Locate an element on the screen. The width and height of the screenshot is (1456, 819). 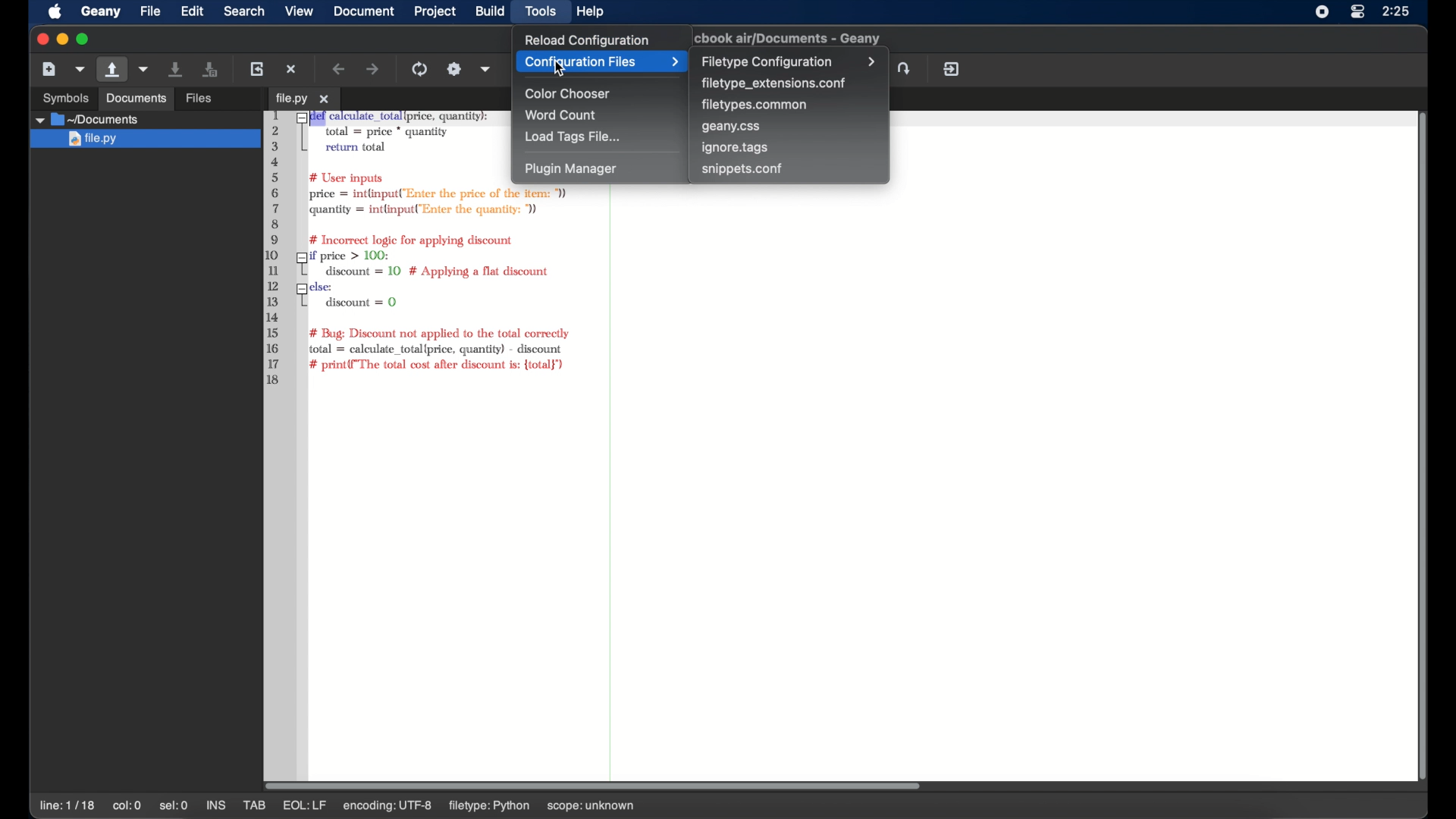
view is located at coordinates (300, 11).